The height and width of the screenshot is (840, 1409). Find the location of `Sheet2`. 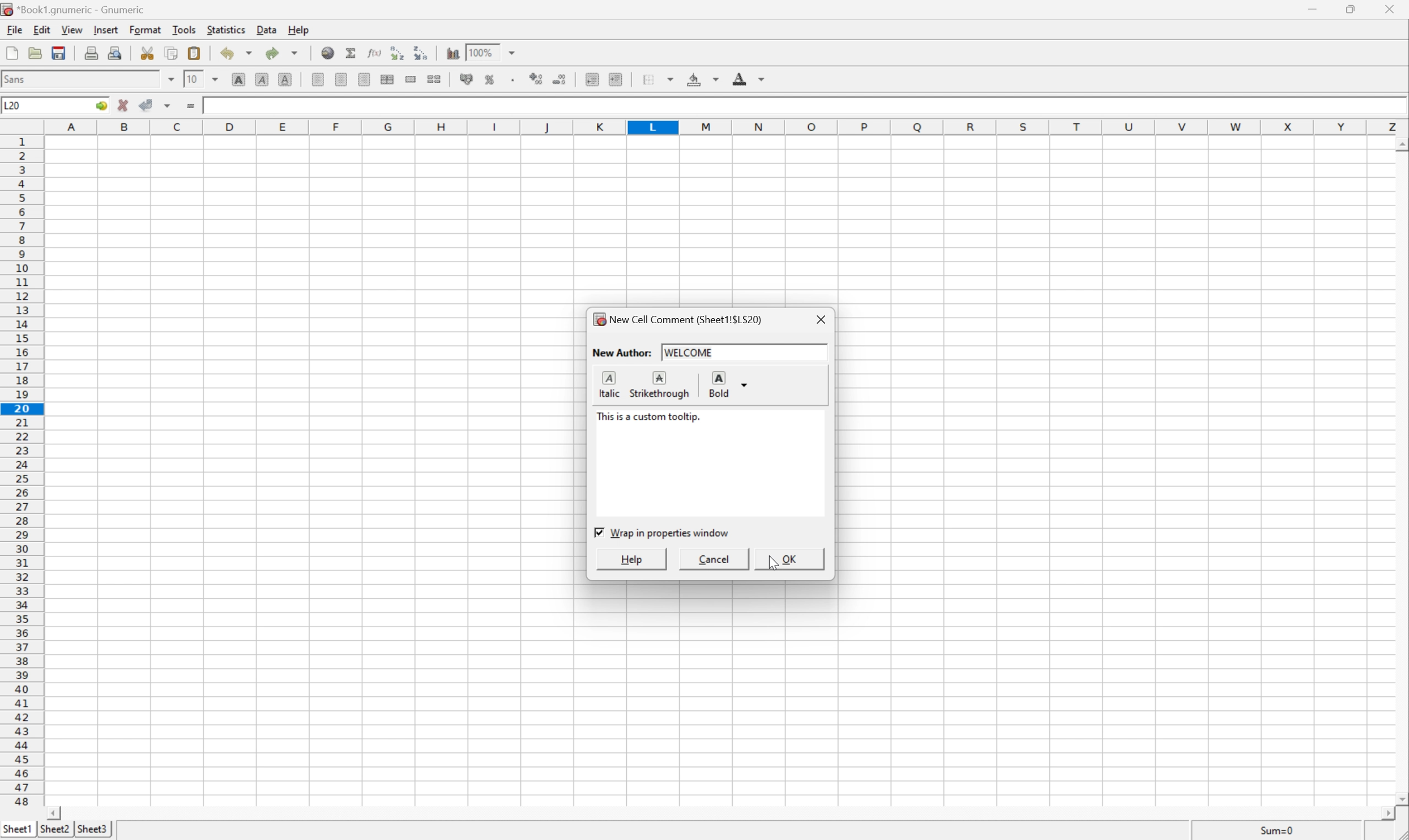

Sheet2 is located at coordinates (90, 830).